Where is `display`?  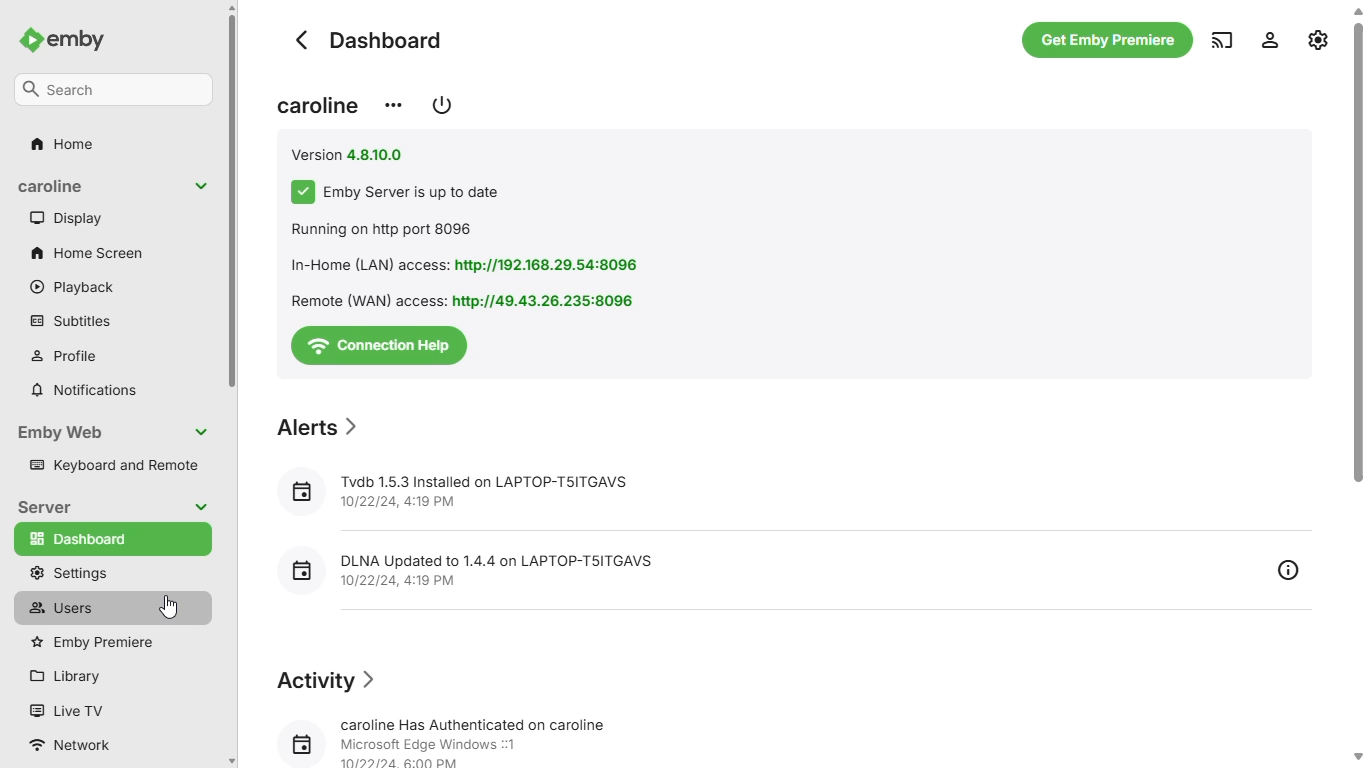
display is located at coordinates (69, 218).